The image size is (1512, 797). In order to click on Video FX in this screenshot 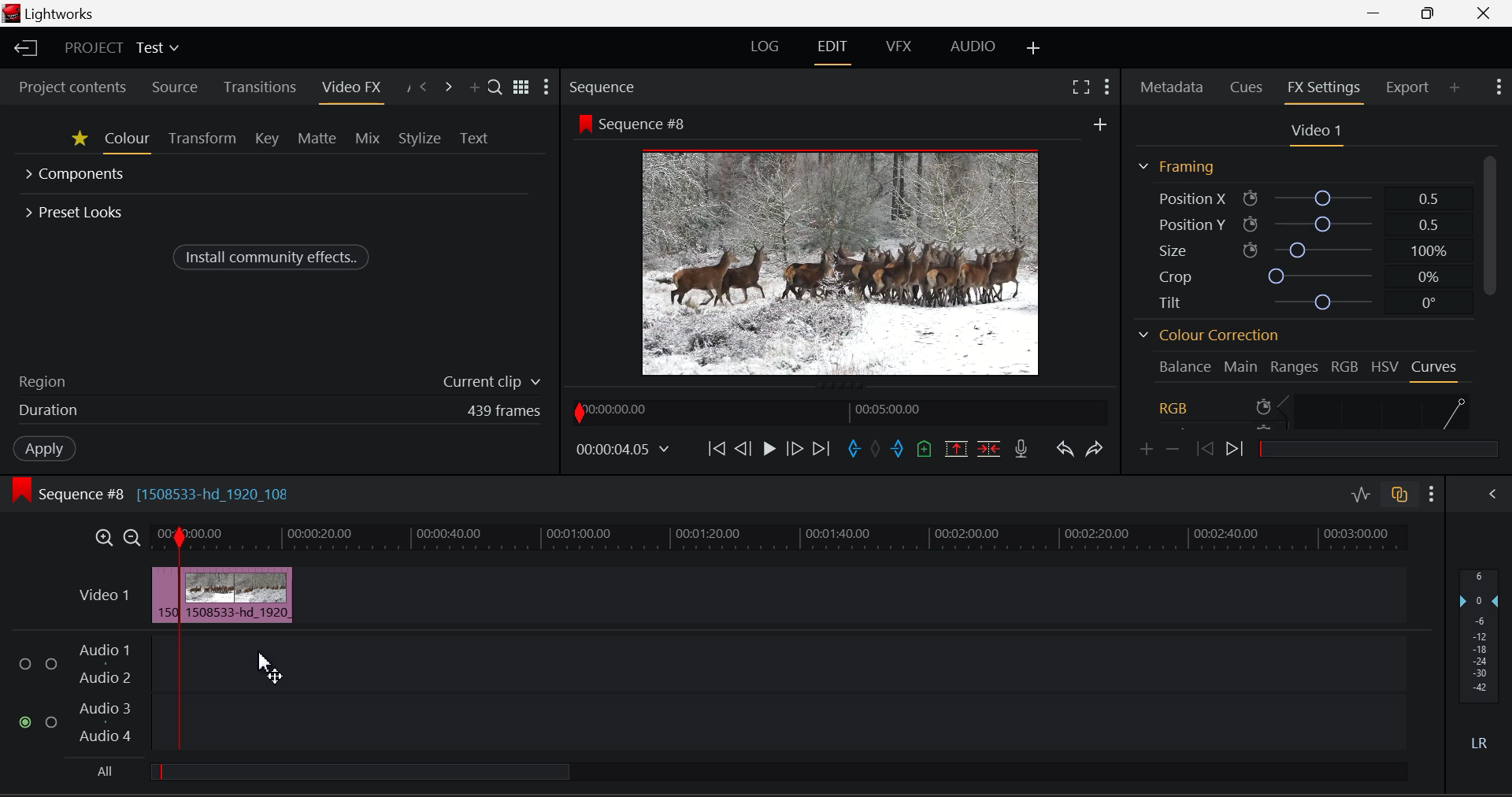, I will do `click(349, 87)`.